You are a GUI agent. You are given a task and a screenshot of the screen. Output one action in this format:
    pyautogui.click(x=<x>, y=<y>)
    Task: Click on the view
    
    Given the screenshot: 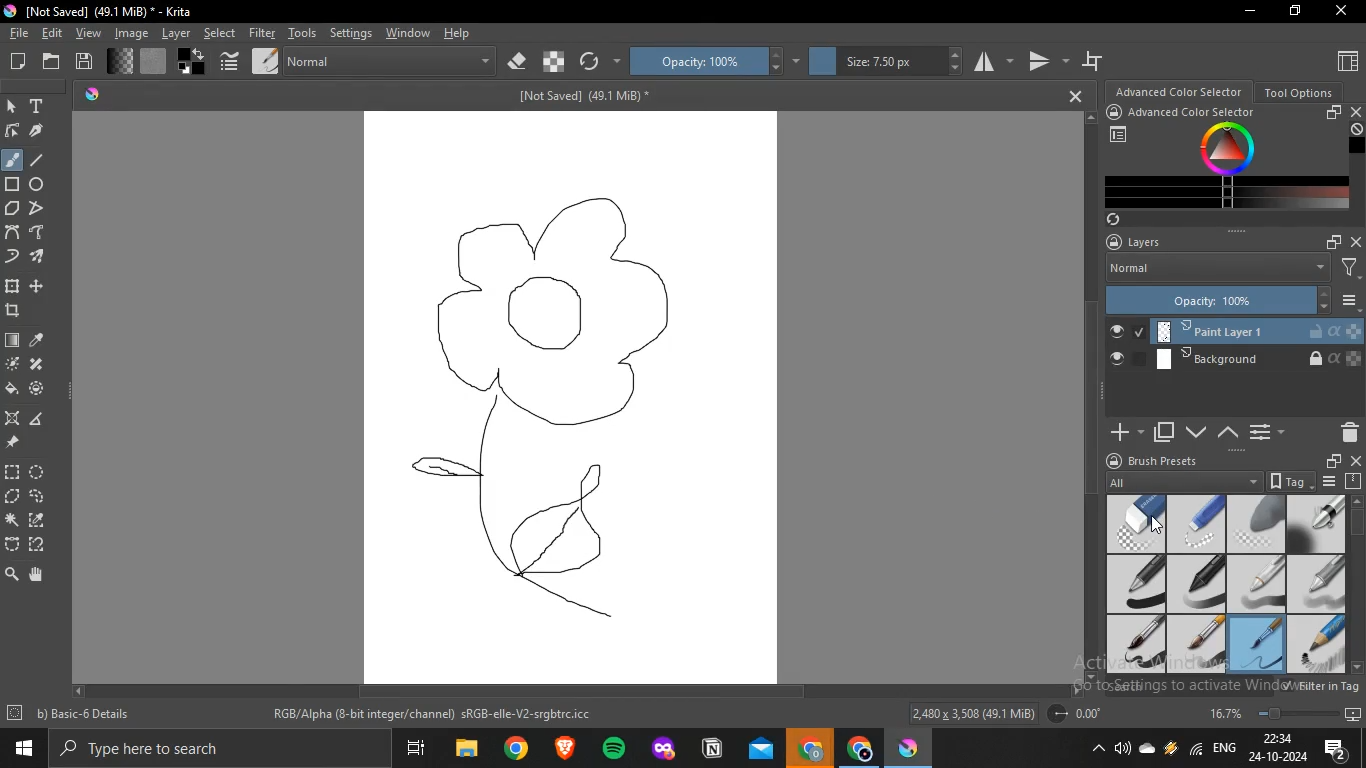 What is the action you would take?
    pyautogui.click(x=87, y=34)
    